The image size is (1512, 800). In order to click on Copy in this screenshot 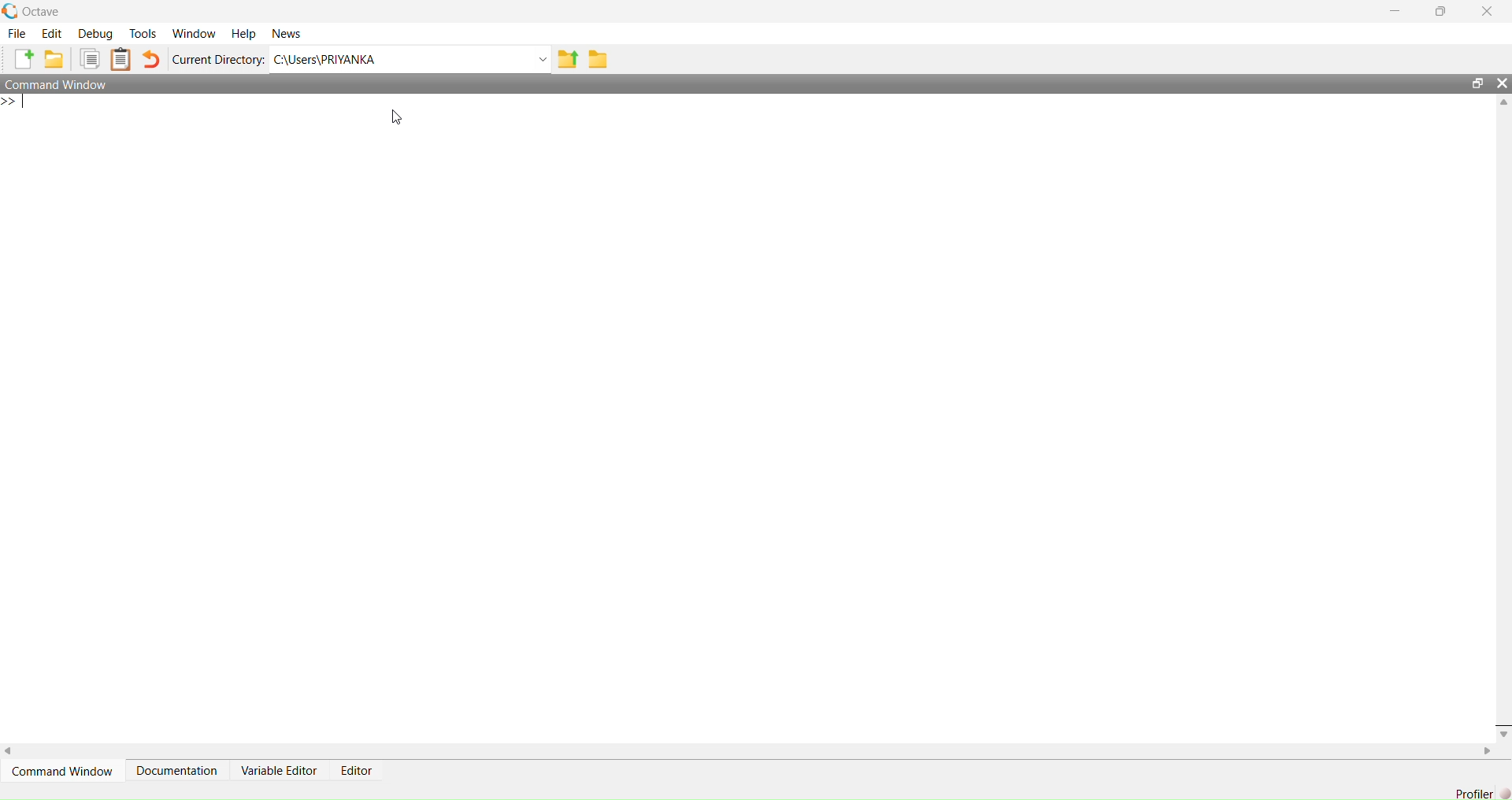, I will do `click(87, 57)`.